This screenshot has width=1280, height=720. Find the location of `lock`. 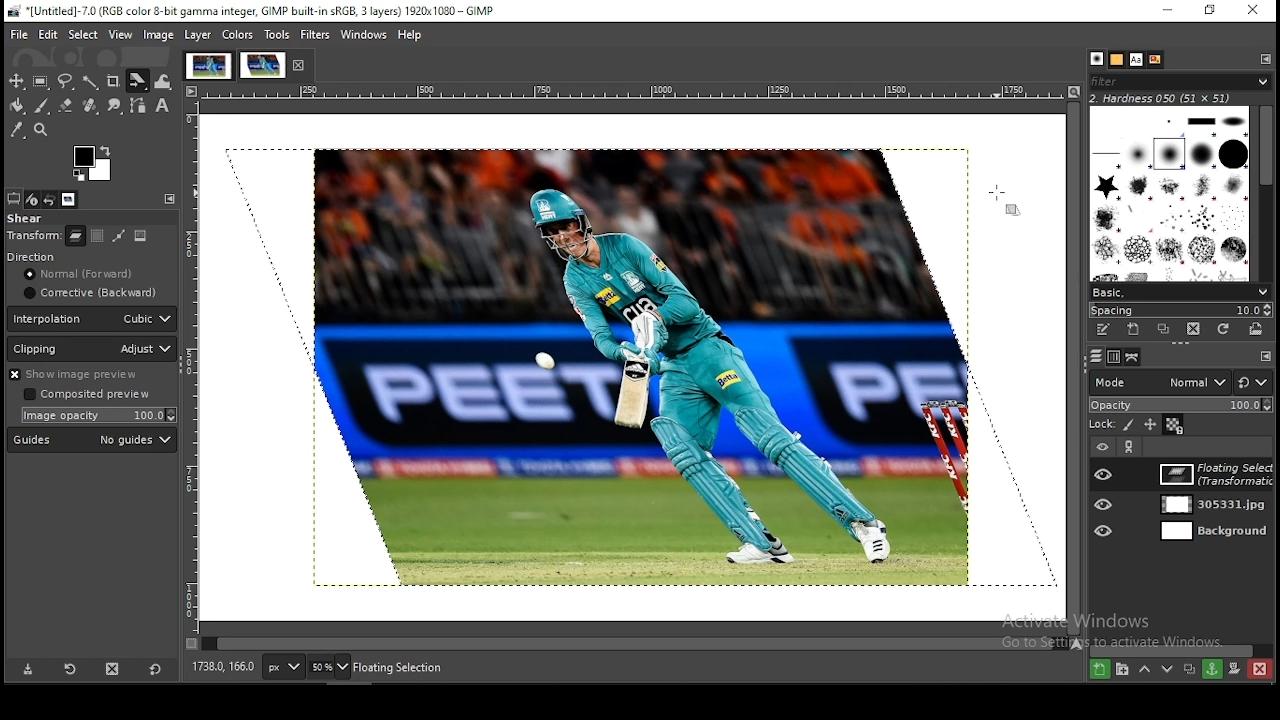

lock is located at coordinates (1096, 426).